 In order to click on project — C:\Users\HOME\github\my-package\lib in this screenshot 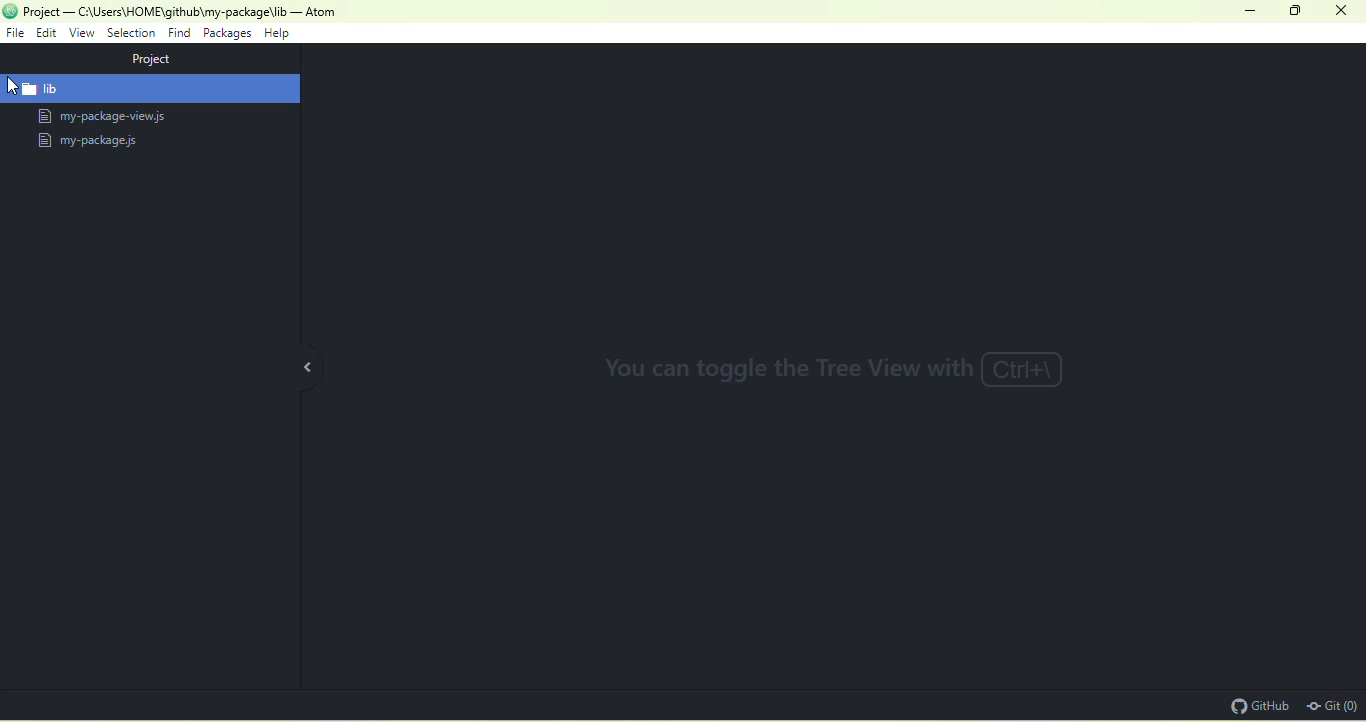, I will do `click(155, 11)`.